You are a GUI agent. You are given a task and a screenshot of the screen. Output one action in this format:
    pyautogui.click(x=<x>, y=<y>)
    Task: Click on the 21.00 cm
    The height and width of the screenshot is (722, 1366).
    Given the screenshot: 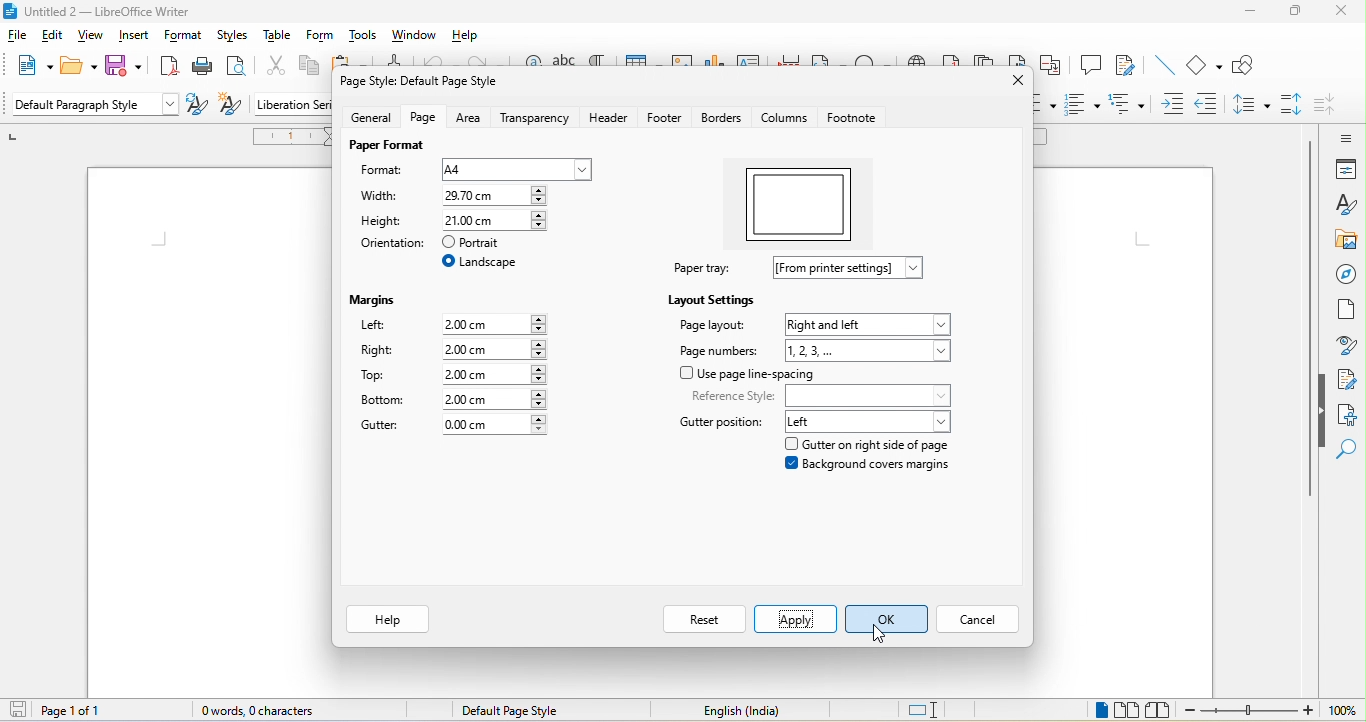 What is the action you would take?
    pyautogui.click(x=497, y=196)
    